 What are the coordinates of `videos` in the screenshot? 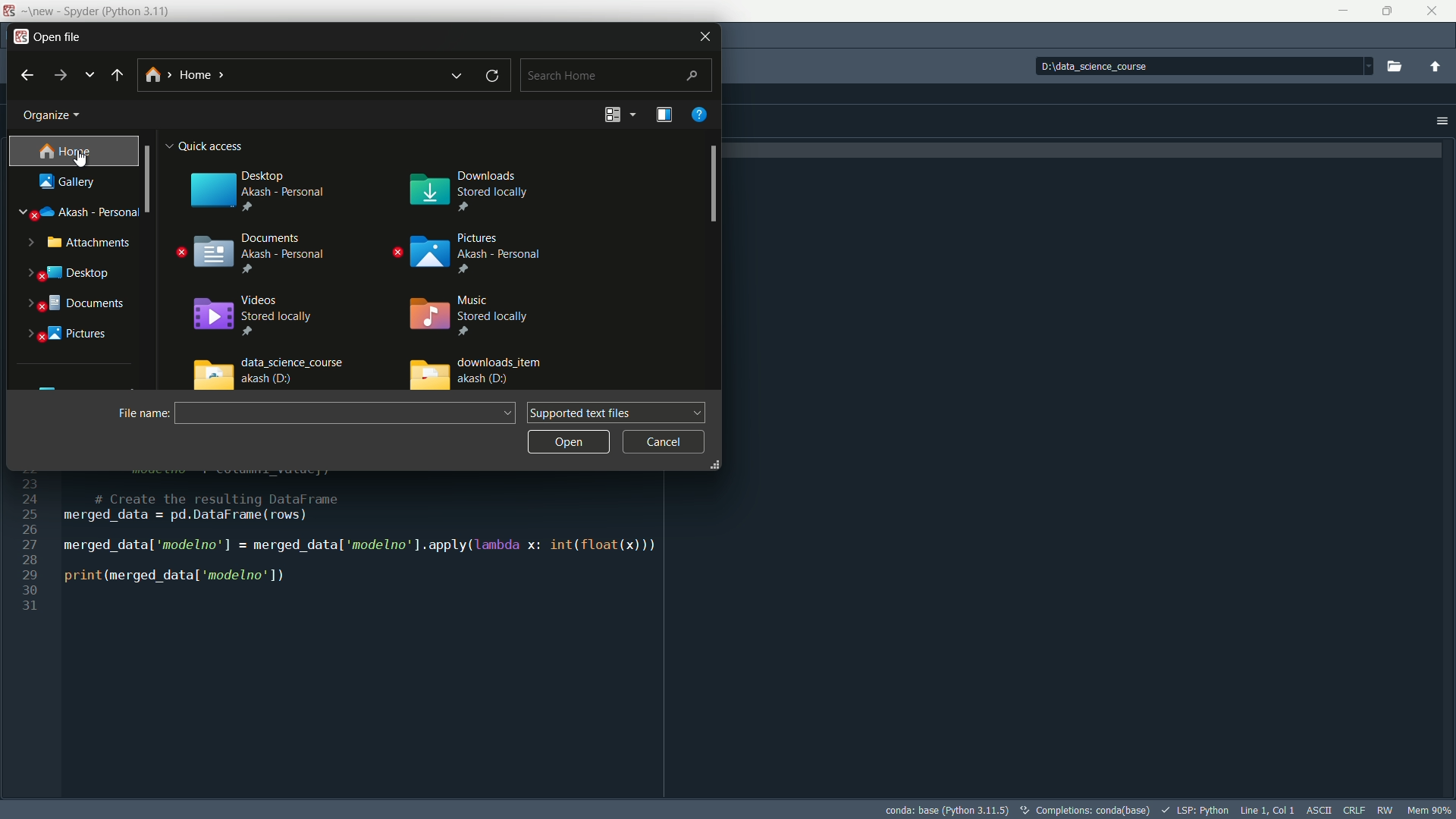 It's located at (251, 316).